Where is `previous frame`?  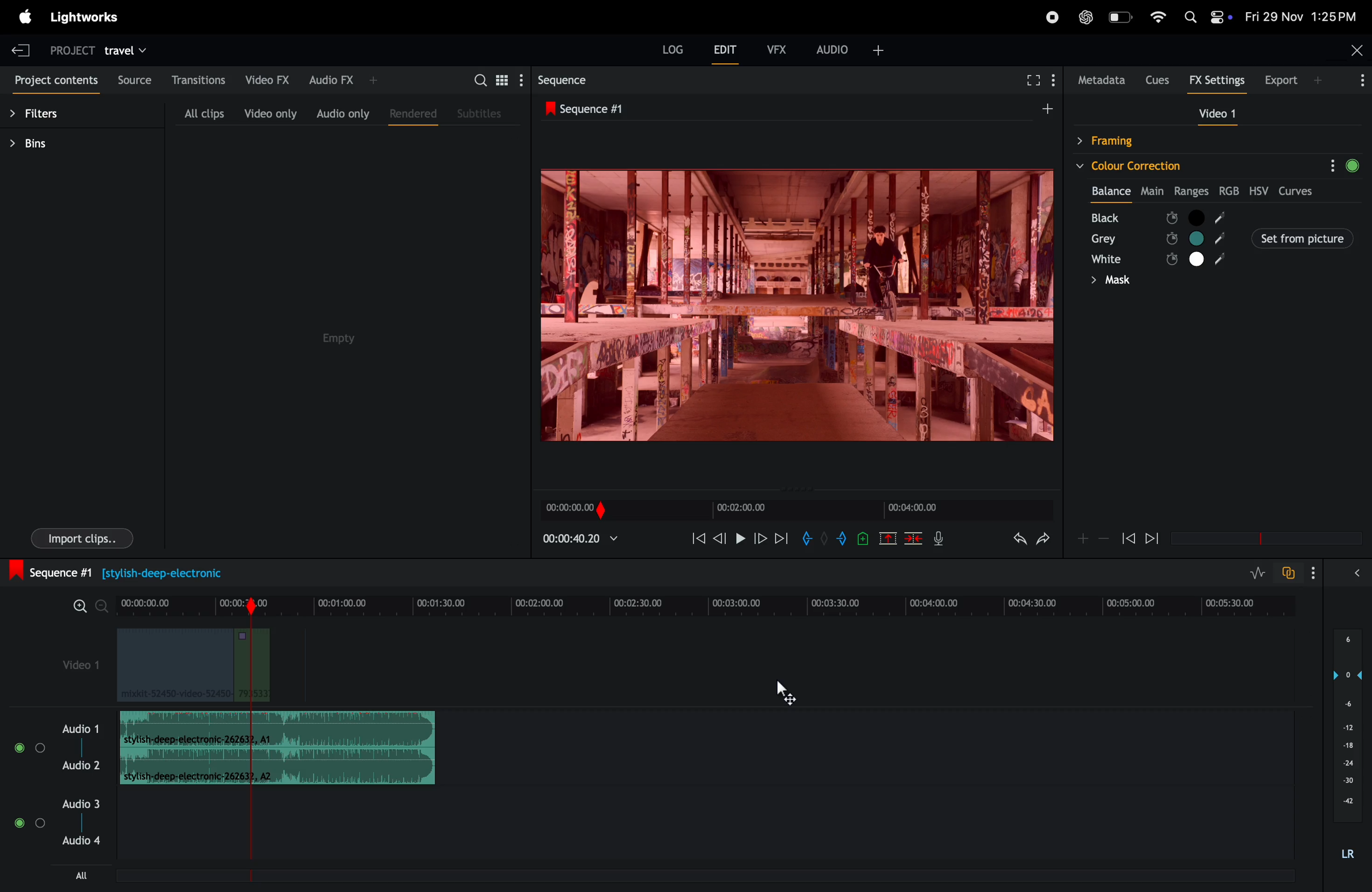 previous frame is located at coordinates (722, 537).